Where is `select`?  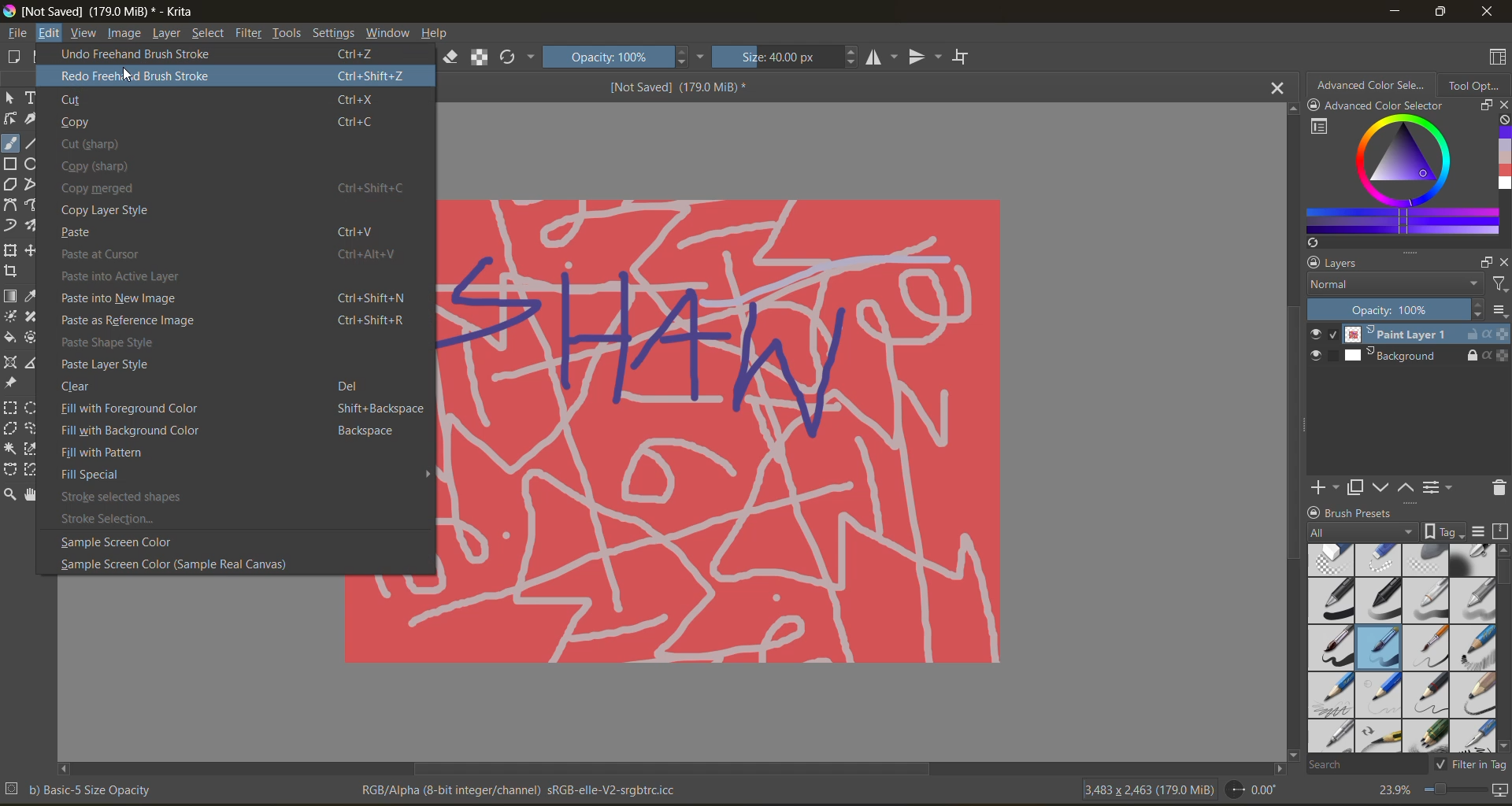
select is located at coordinates (208, 33).